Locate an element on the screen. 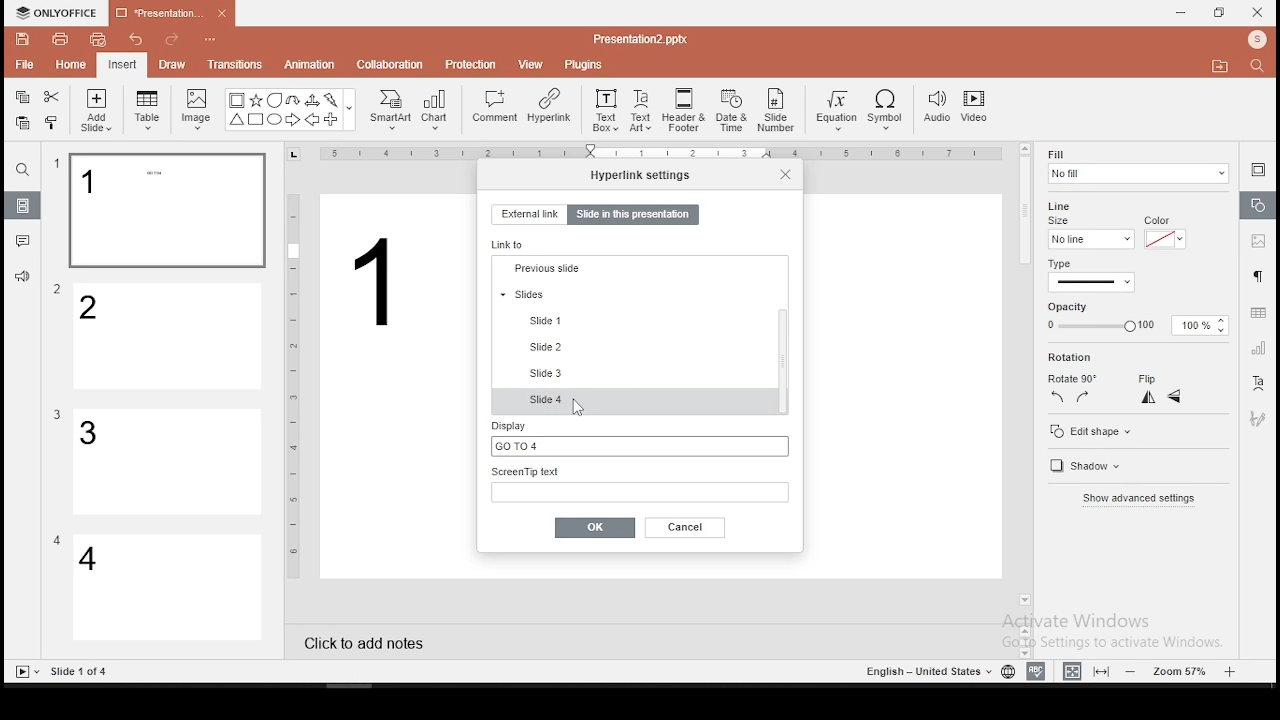 The height and width of the screenshot is (720, 1280). transitions is located at coordinates (234, 64).